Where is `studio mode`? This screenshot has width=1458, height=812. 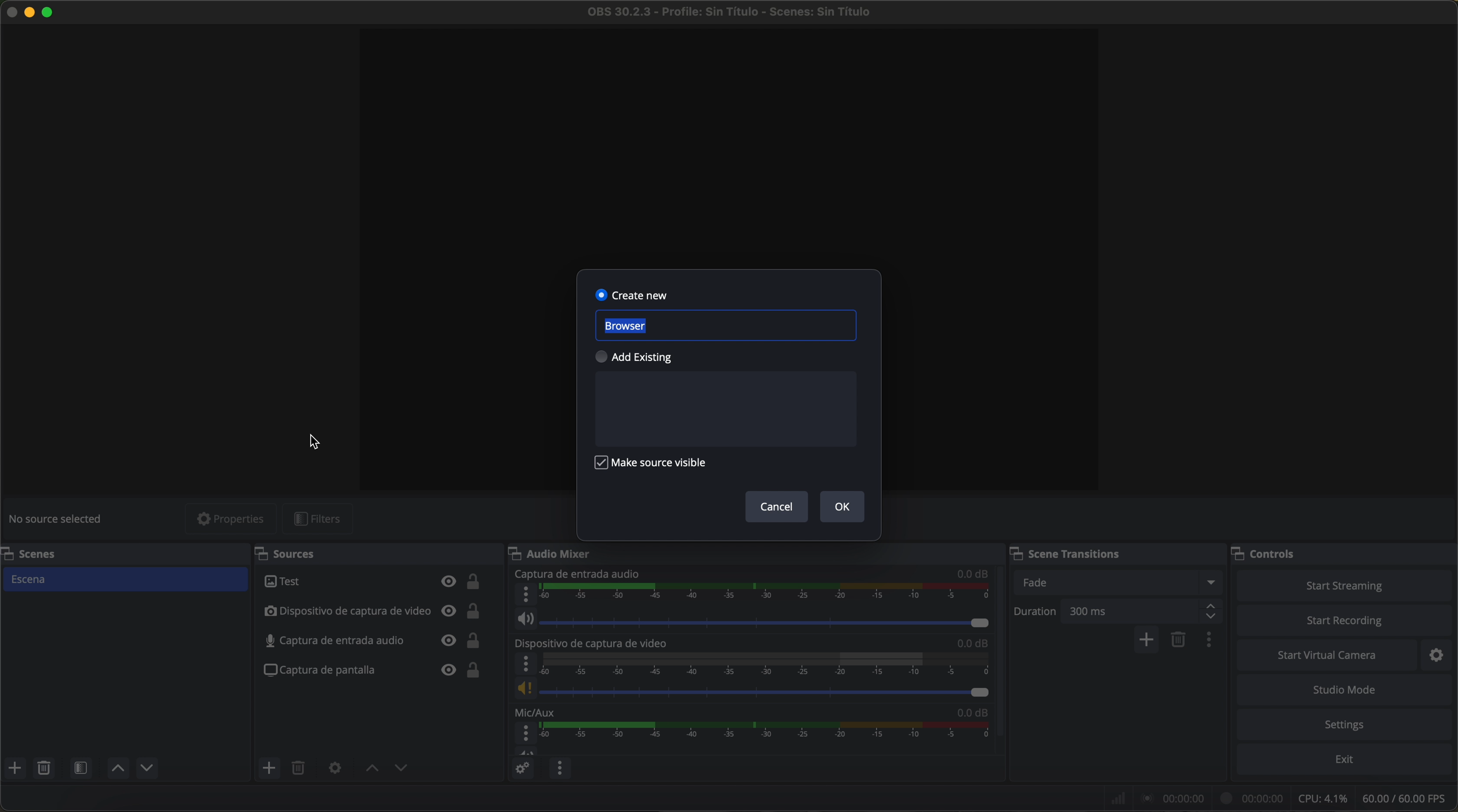
studio mode is located at coordinates (1347, 691).